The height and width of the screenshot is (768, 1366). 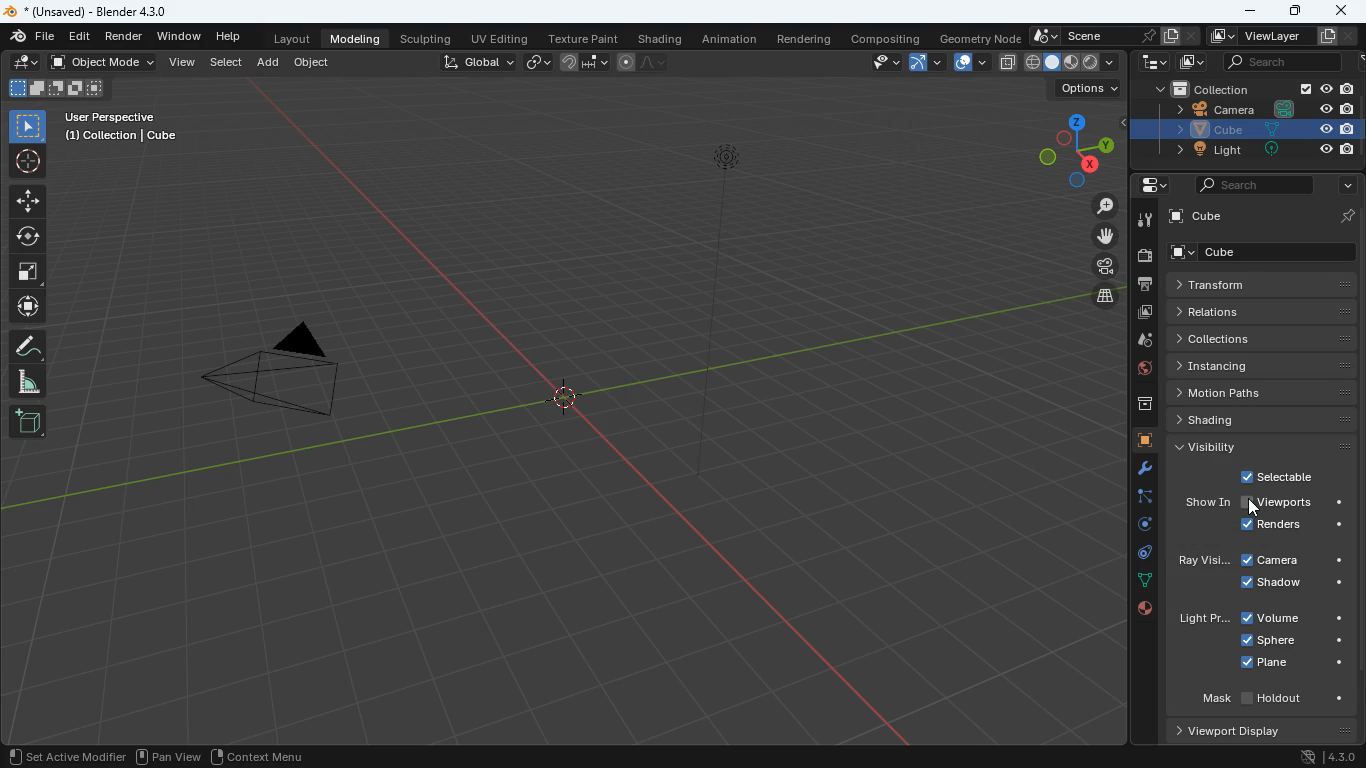 I want to click on compositing, so click(x=884, y=38).